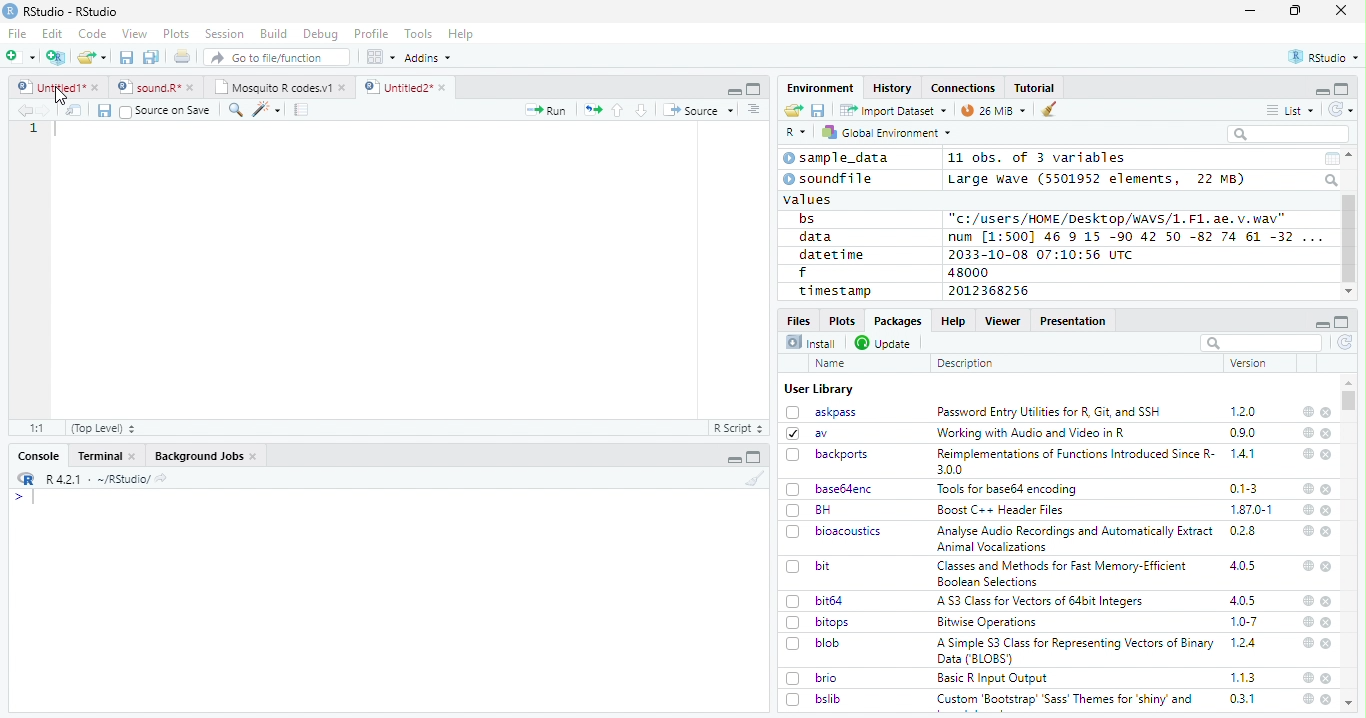 This screenshot has width=1366, height=718. What do you see at coordinates (896, 321) in the screenshot?
I see `Packages` at bounding box center [896, 321].